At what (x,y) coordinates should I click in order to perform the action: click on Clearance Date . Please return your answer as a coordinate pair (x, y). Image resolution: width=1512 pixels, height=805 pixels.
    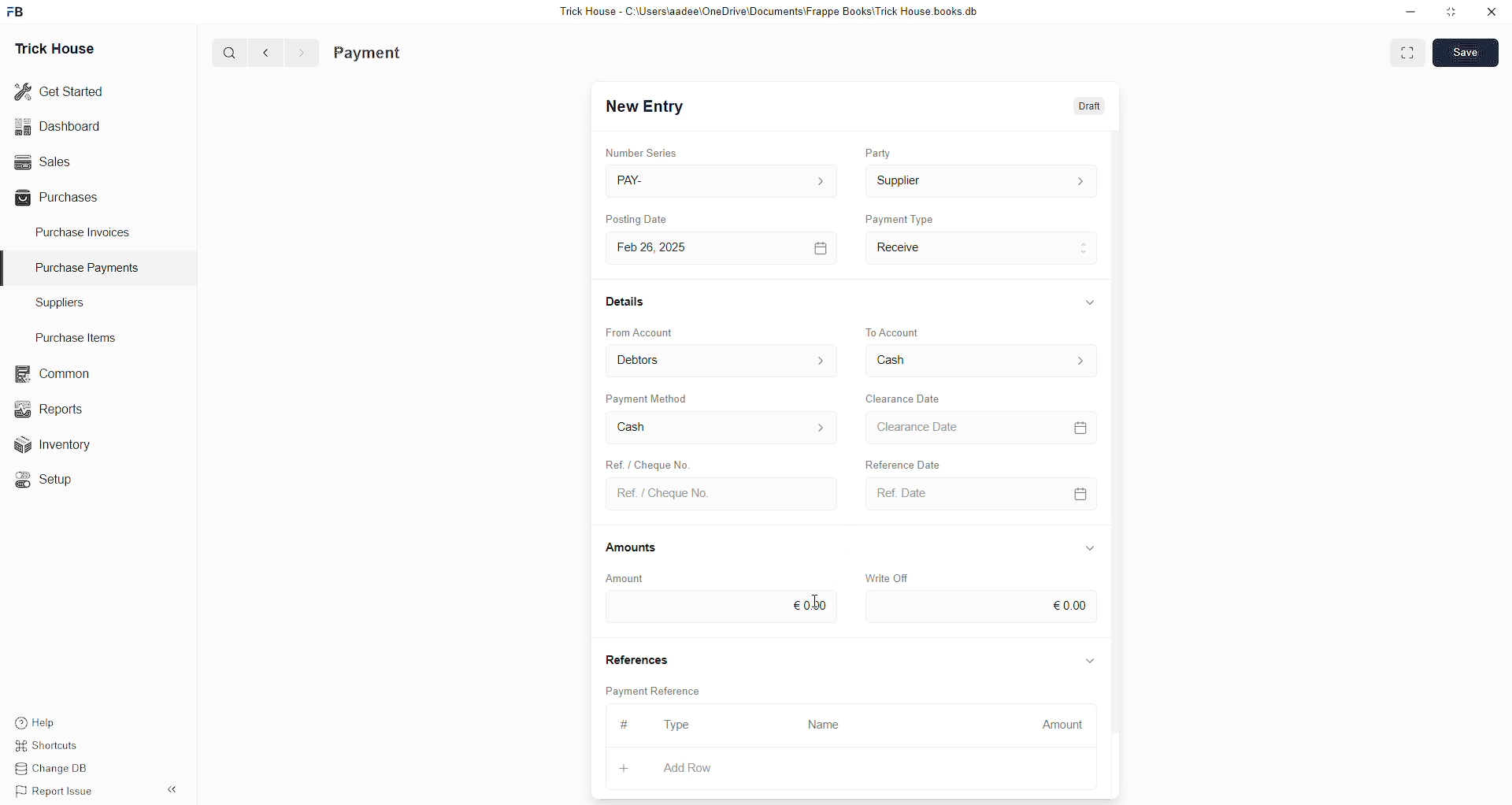
    Looking at the image, I should click on (978, 426).